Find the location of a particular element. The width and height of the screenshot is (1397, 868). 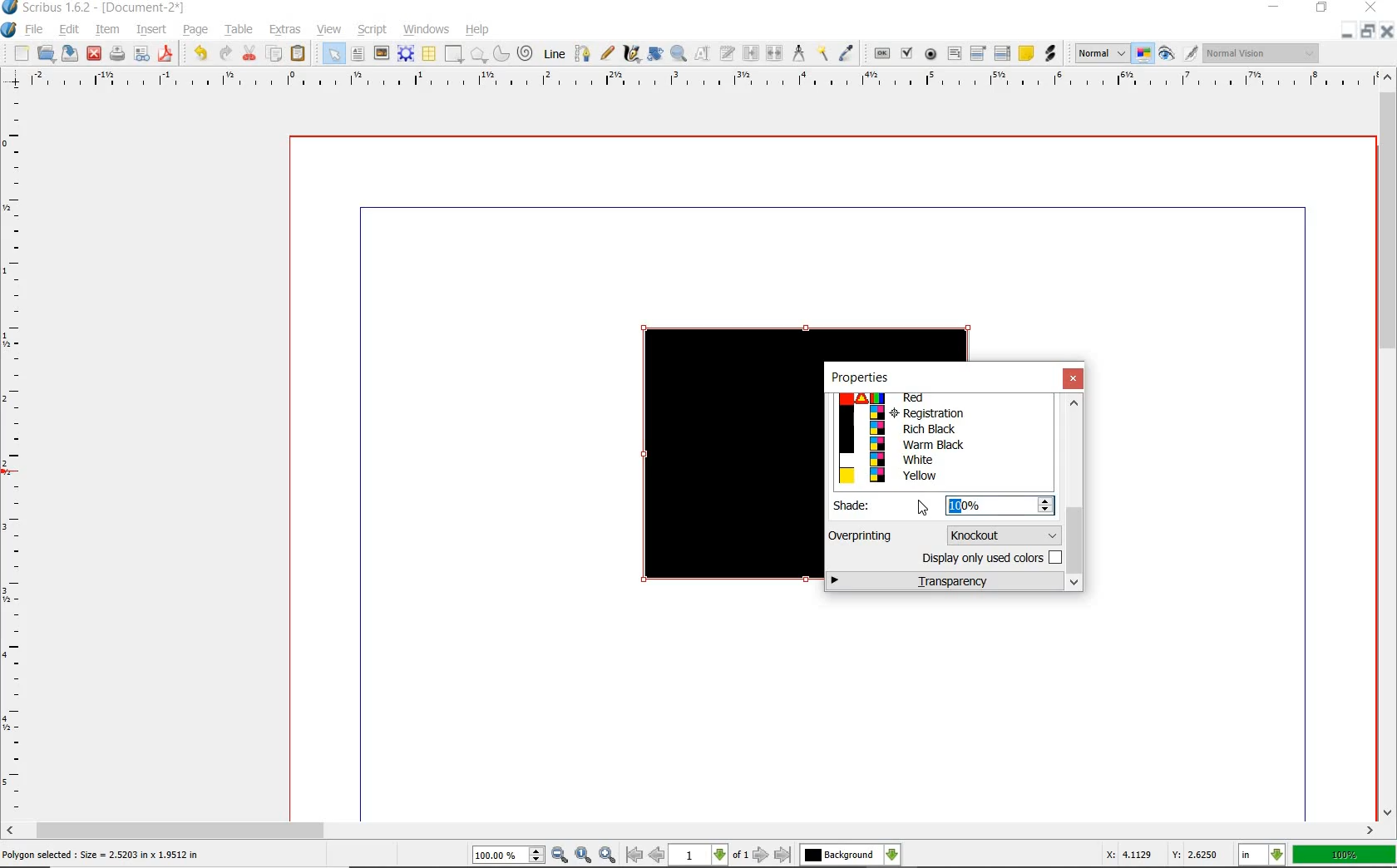

line is located at coordinates (555, 53).